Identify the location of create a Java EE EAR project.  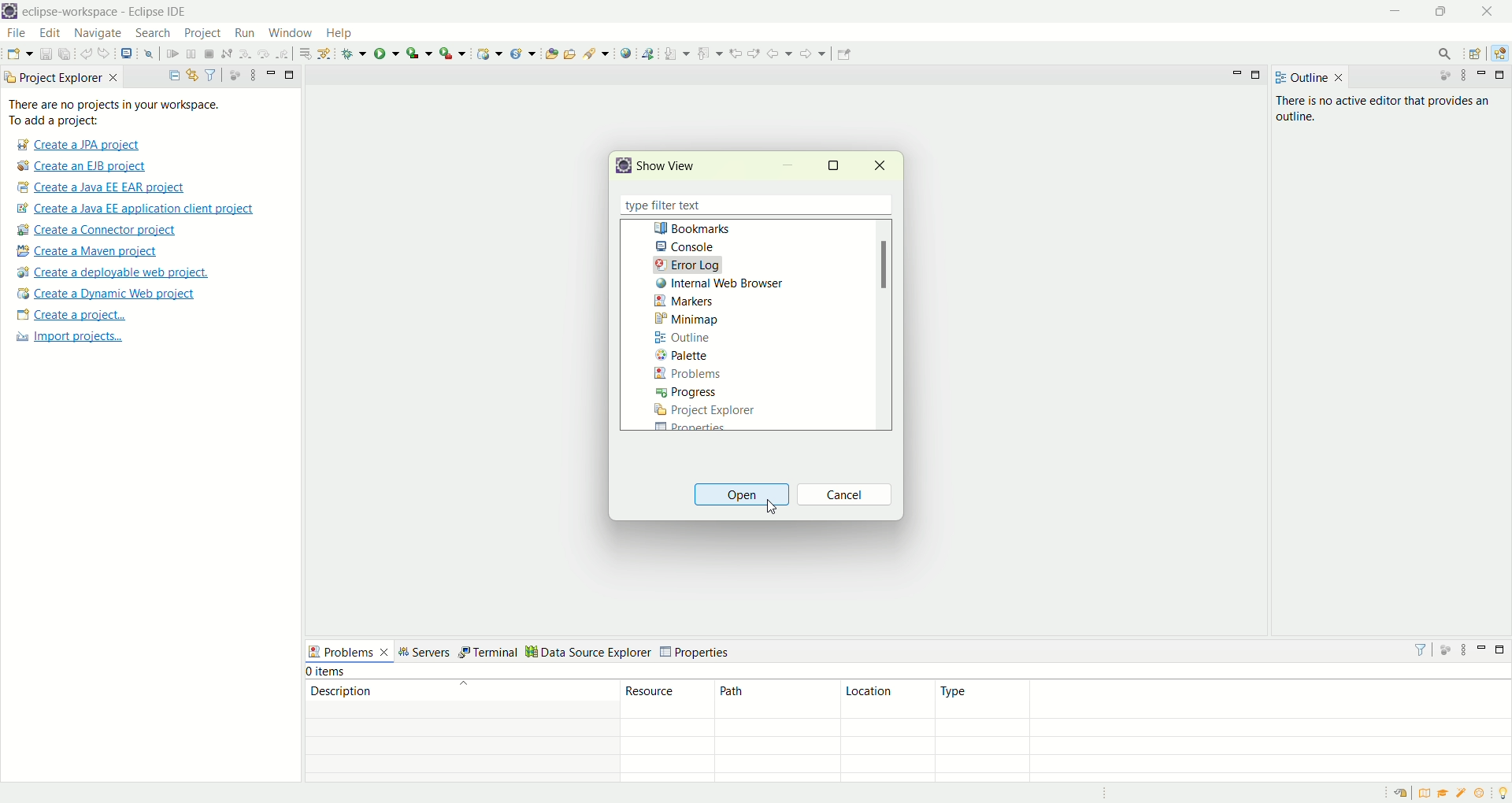
(103, 188).